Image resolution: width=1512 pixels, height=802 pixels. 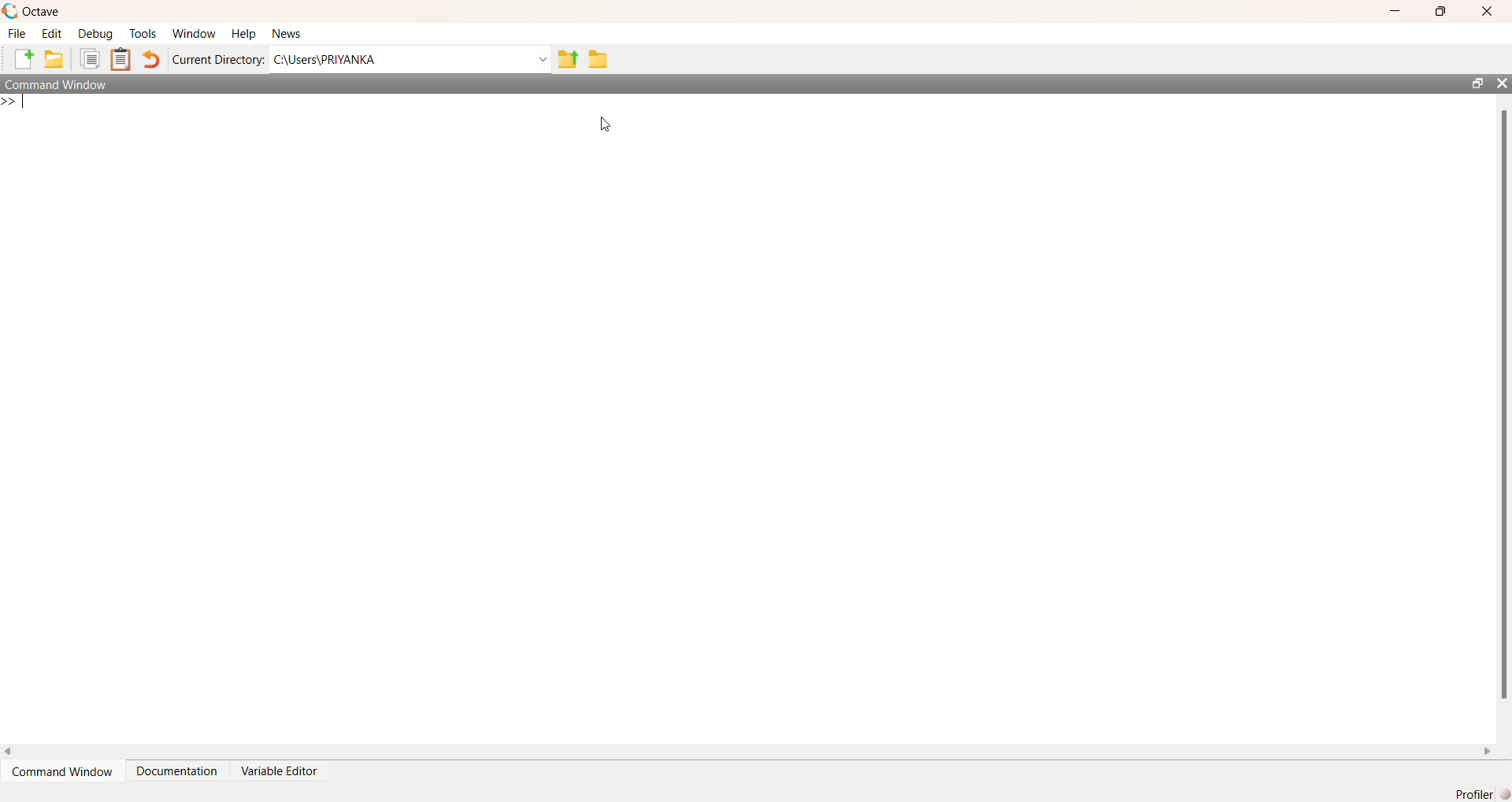 What do you see at coordinates (17, 34) in the screenshot?
I see `File` at bounding box center [17, 34].